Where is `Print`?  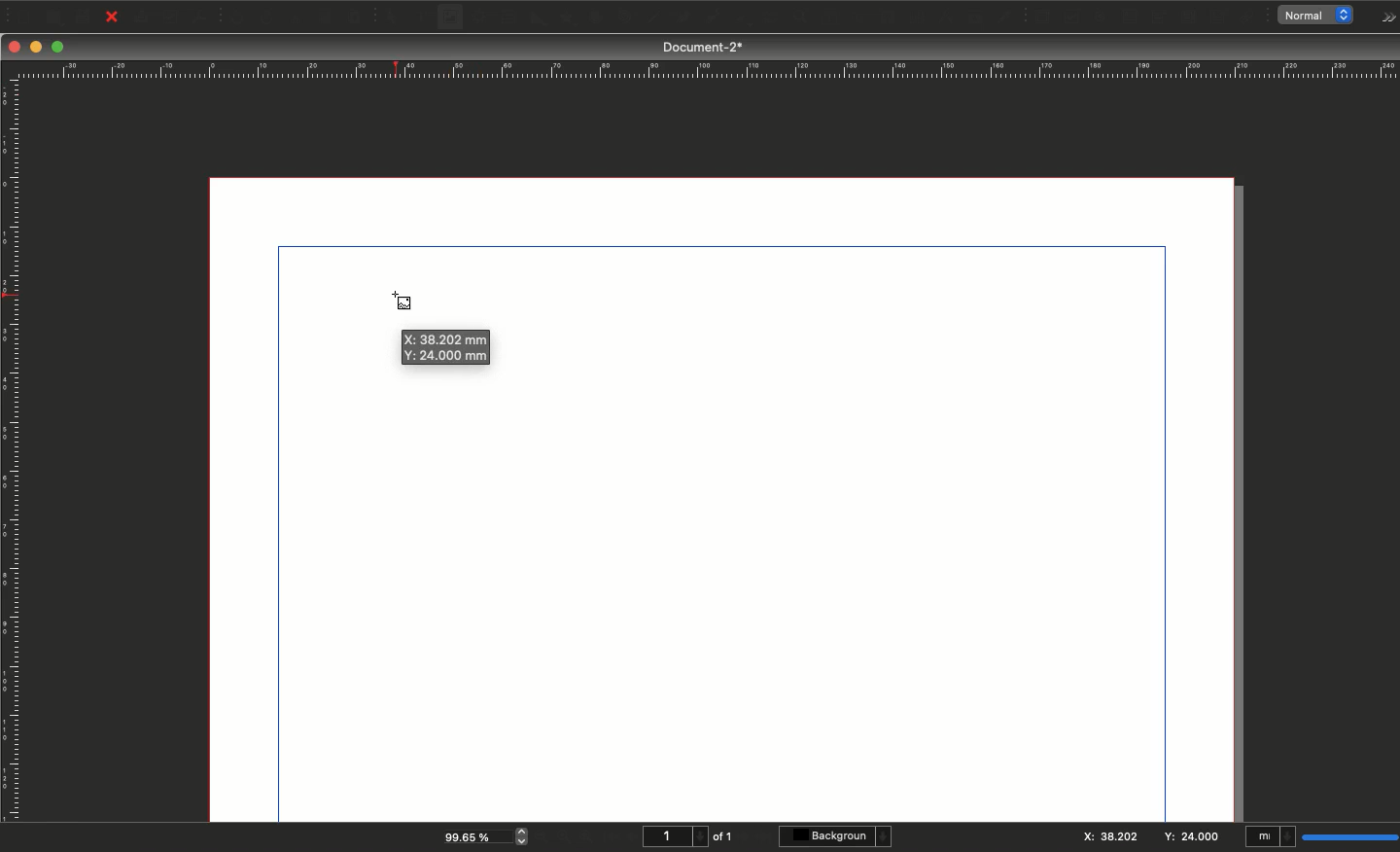
Print is located at coordinates (142, 18).